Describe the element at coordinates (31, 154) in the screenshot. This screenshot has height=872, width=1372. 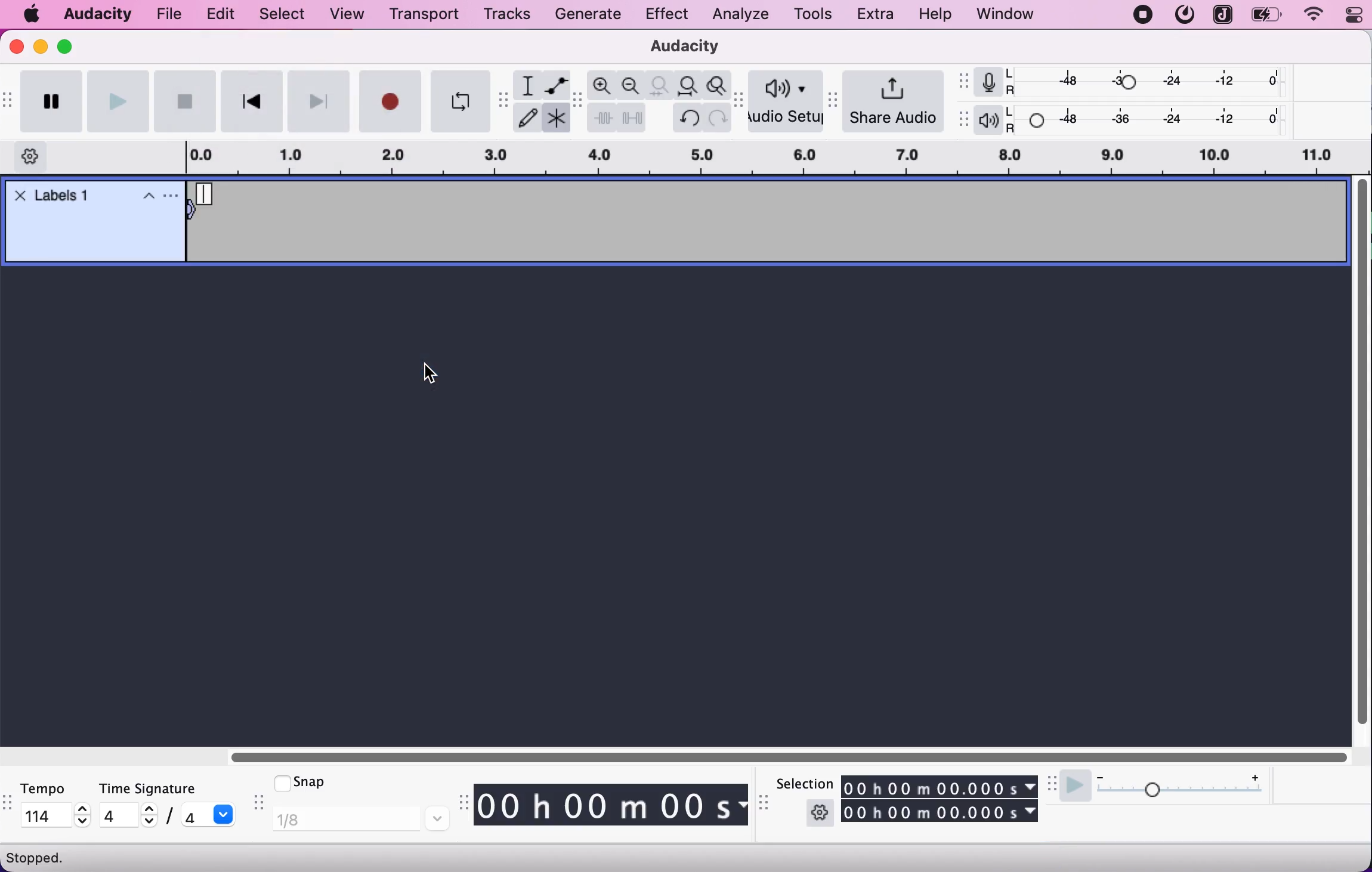
I see `timeline options` at that location.